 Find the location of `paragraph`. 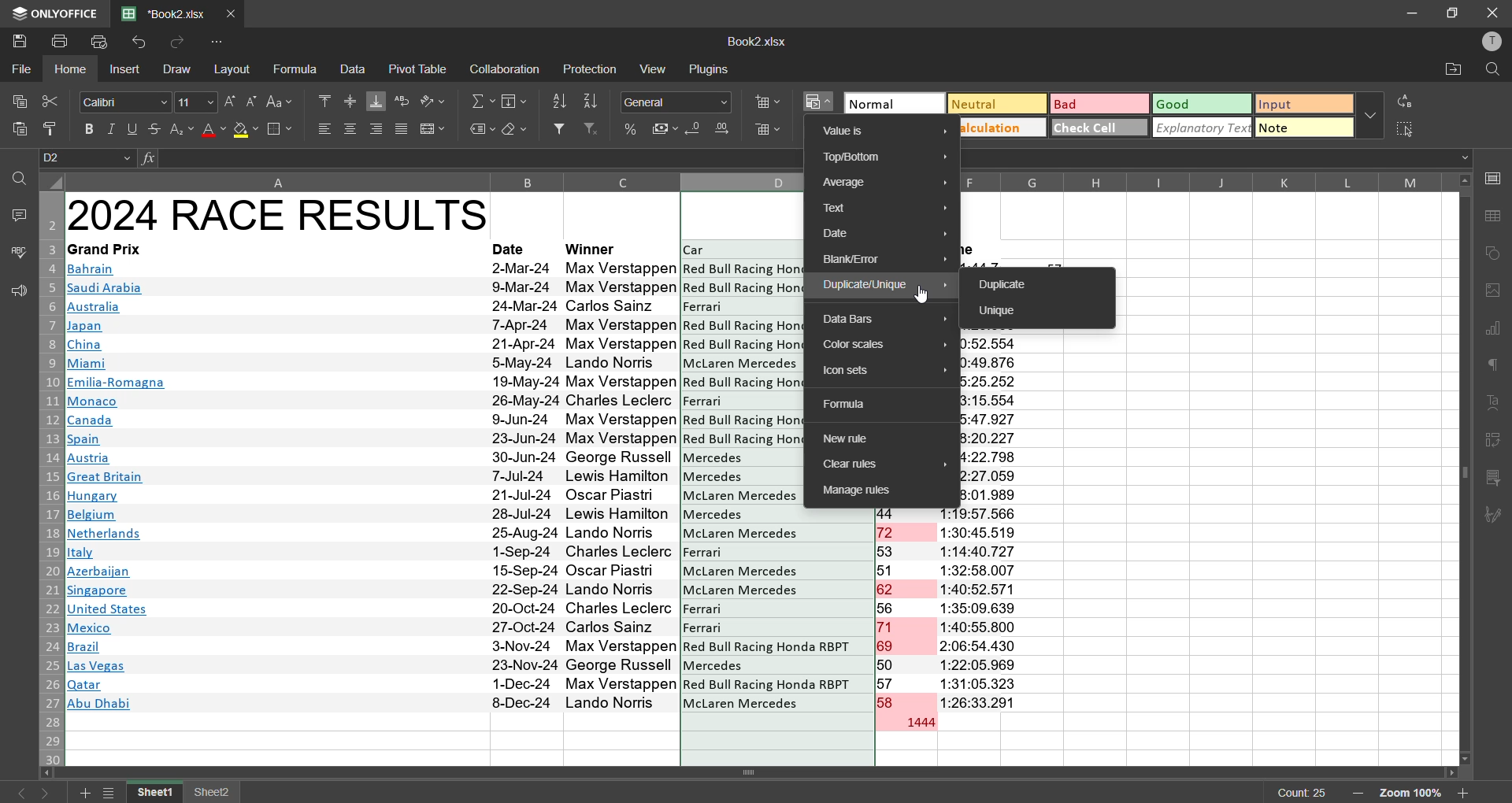

paragraph is located at coordinates (1496, 368).